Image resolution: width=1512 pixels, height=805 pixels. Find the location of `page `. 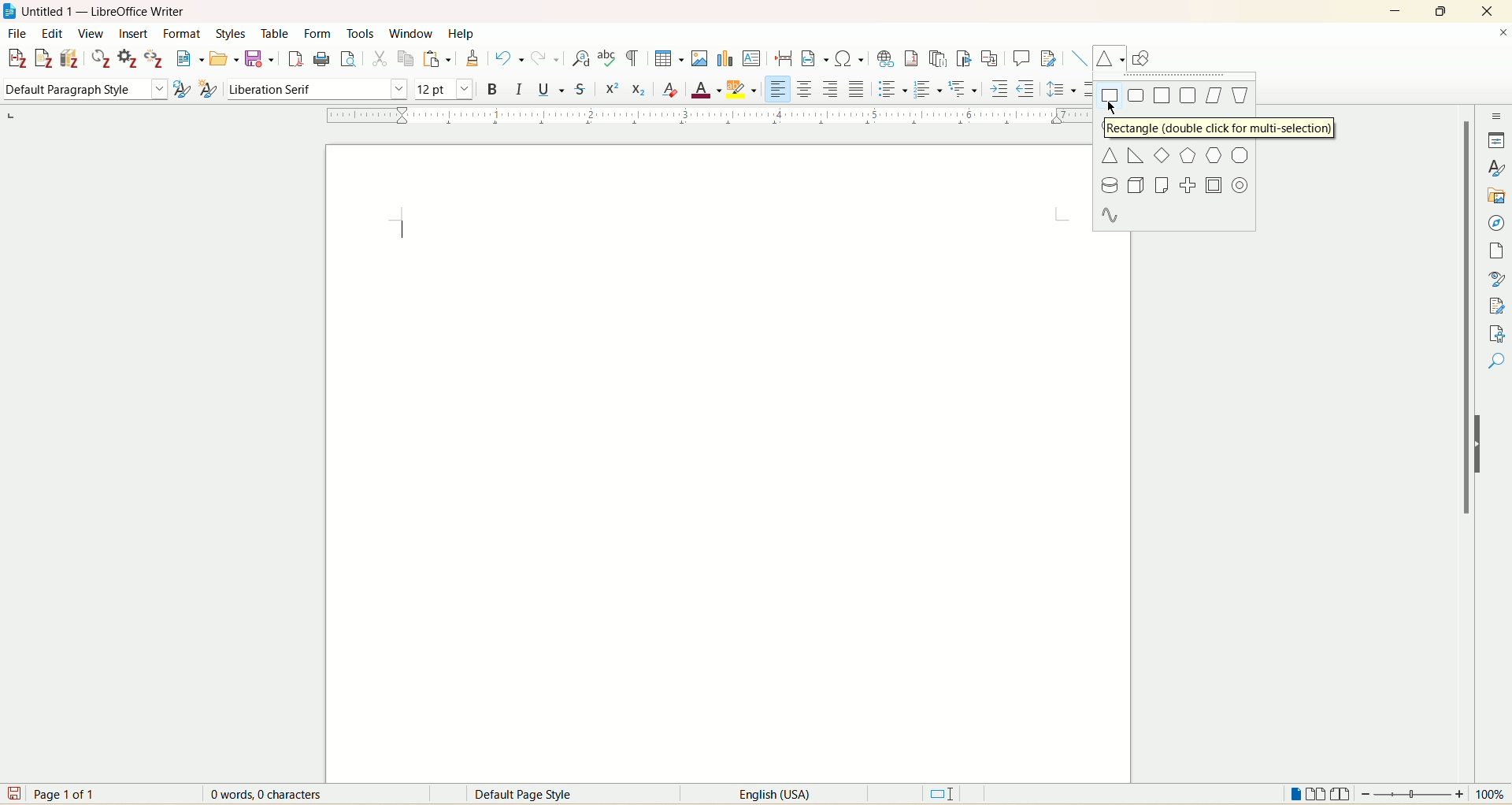

page  is located at coordinates (1499, 251).